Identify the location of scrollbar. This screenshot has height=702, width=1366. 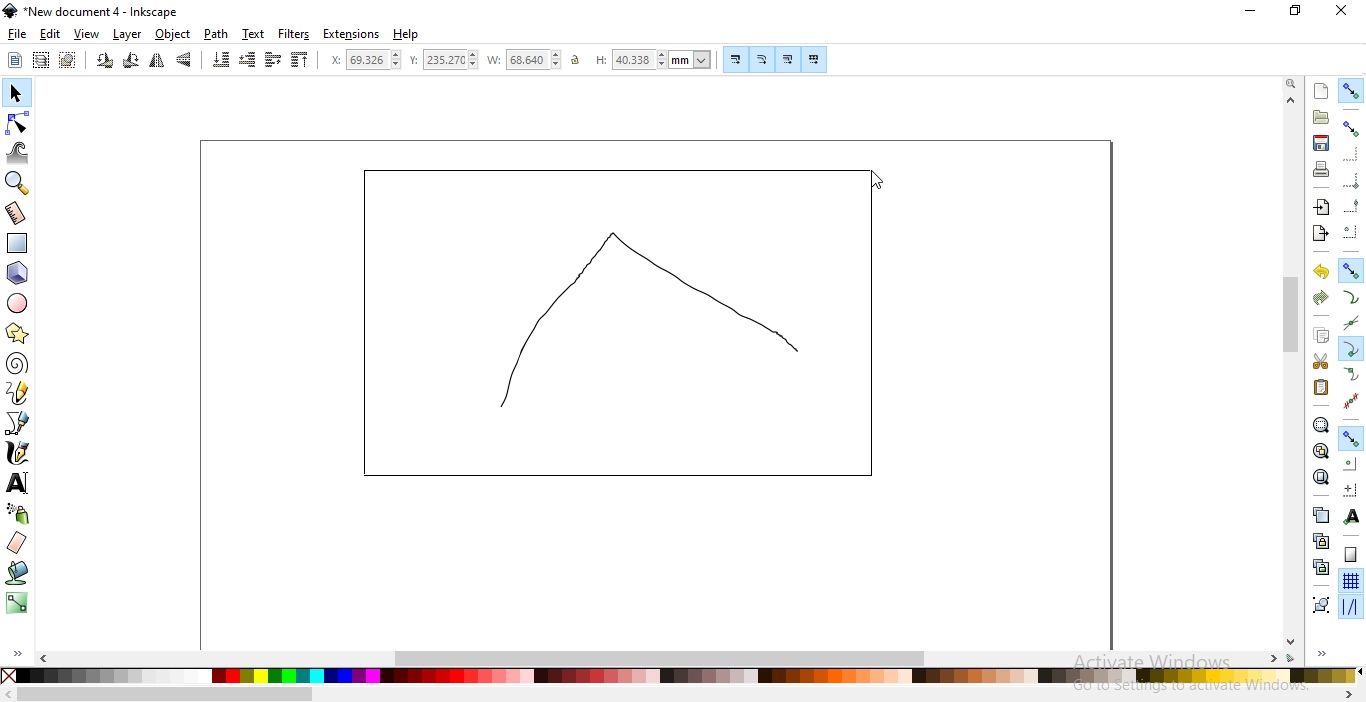
(1293, 317).